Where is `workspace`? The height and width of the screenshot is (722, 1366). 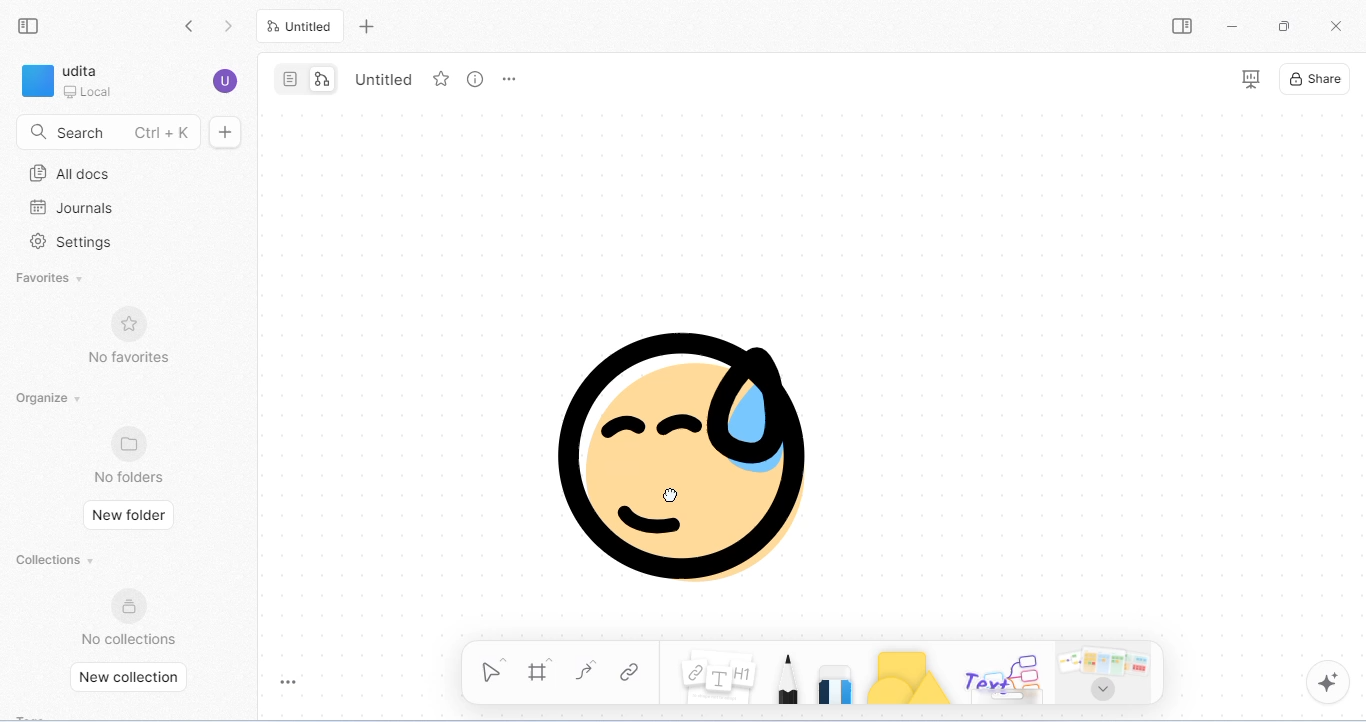
workspace is located at coordinates (69, 81).